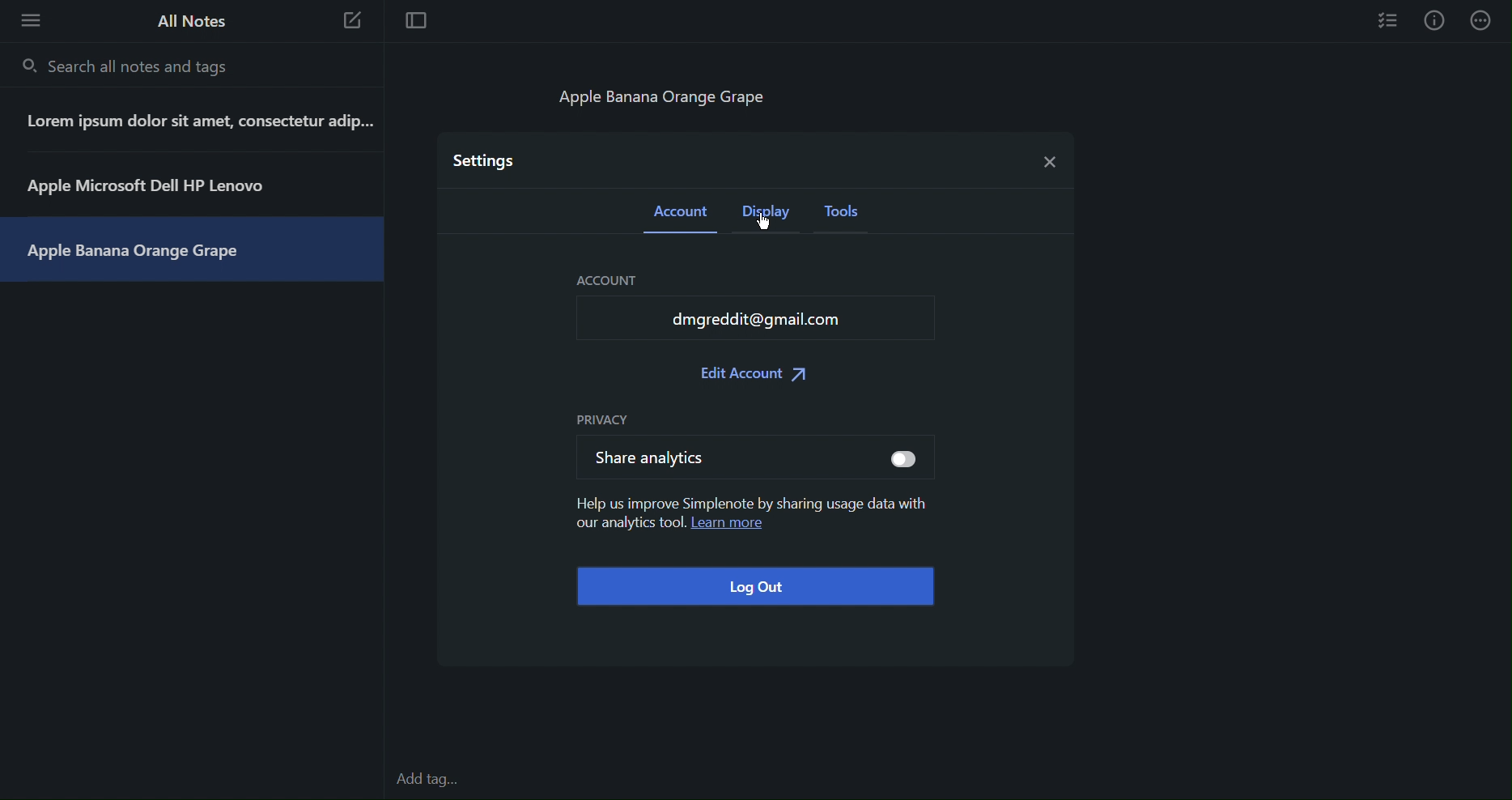  What do you see at coordinates (414, 22) in the screenshot?
I see `Focus Mode` at bounding box center [414, 22].